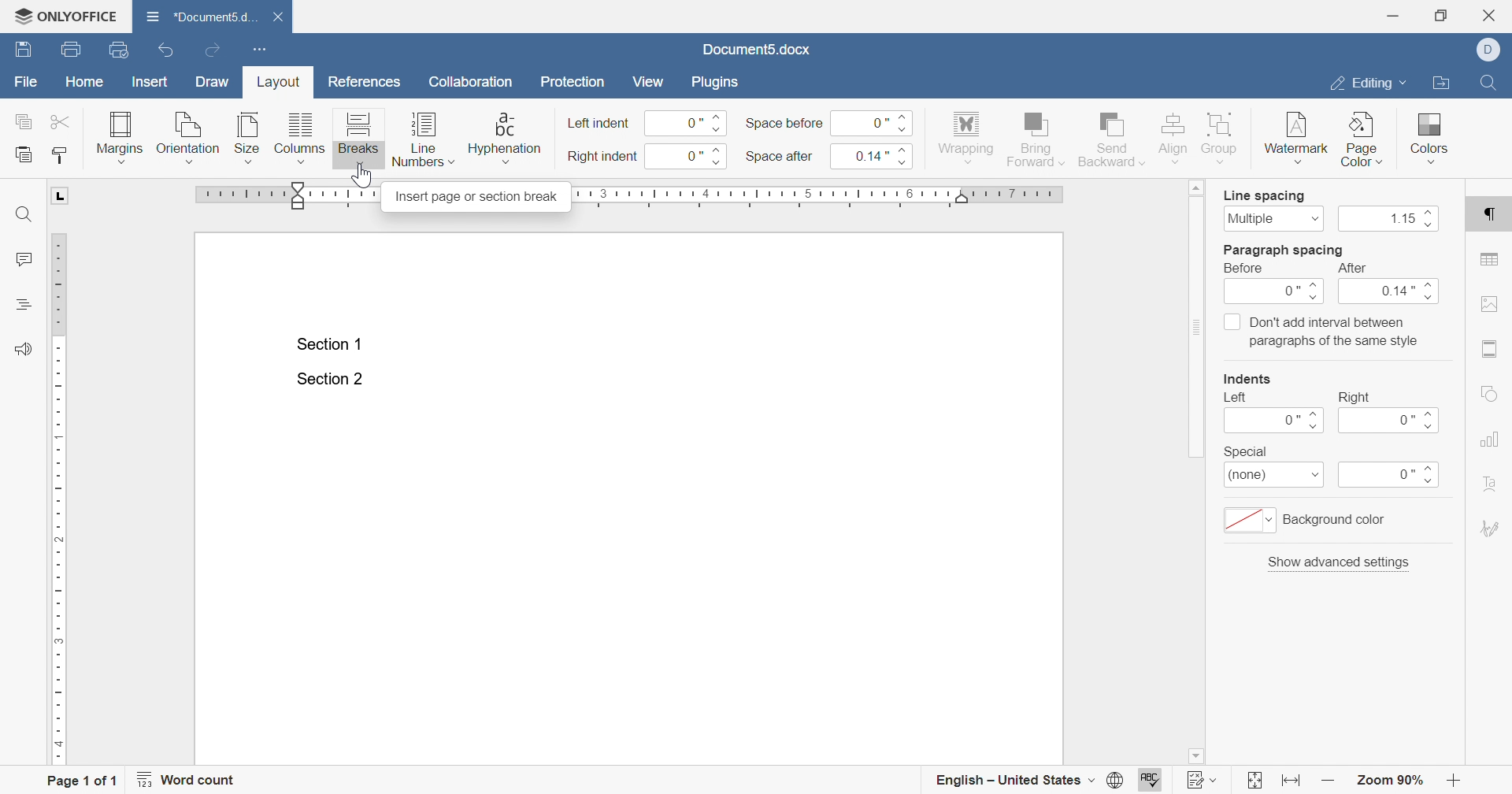 The width and height of the screenshot is (1512, 794). Describe the element at coordinates (1035, 139) in the screenshot. I see `bring forward` at that location.